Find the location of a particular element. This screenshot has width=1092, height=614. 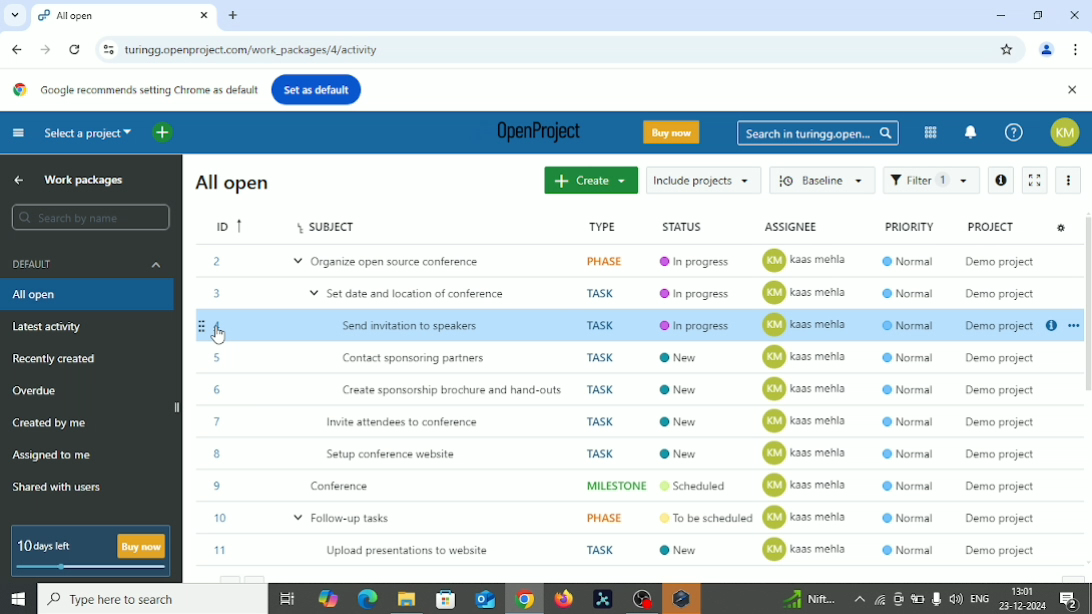

Priority is located at coordinates (905, 227).